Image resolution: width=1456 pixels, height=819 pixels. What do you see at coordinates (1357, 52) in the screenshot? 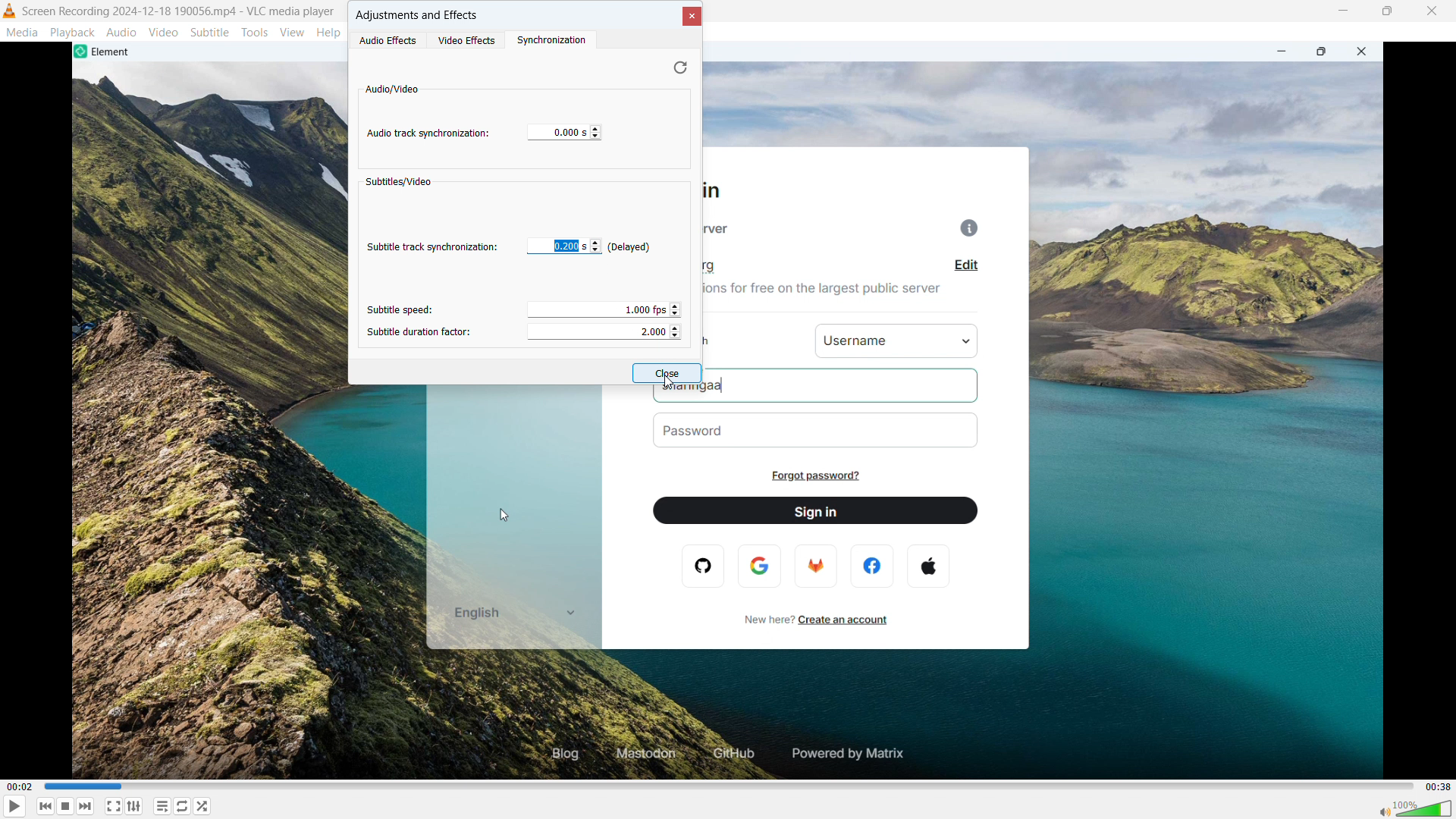
I see `close` at bounding box center [1357, 52].